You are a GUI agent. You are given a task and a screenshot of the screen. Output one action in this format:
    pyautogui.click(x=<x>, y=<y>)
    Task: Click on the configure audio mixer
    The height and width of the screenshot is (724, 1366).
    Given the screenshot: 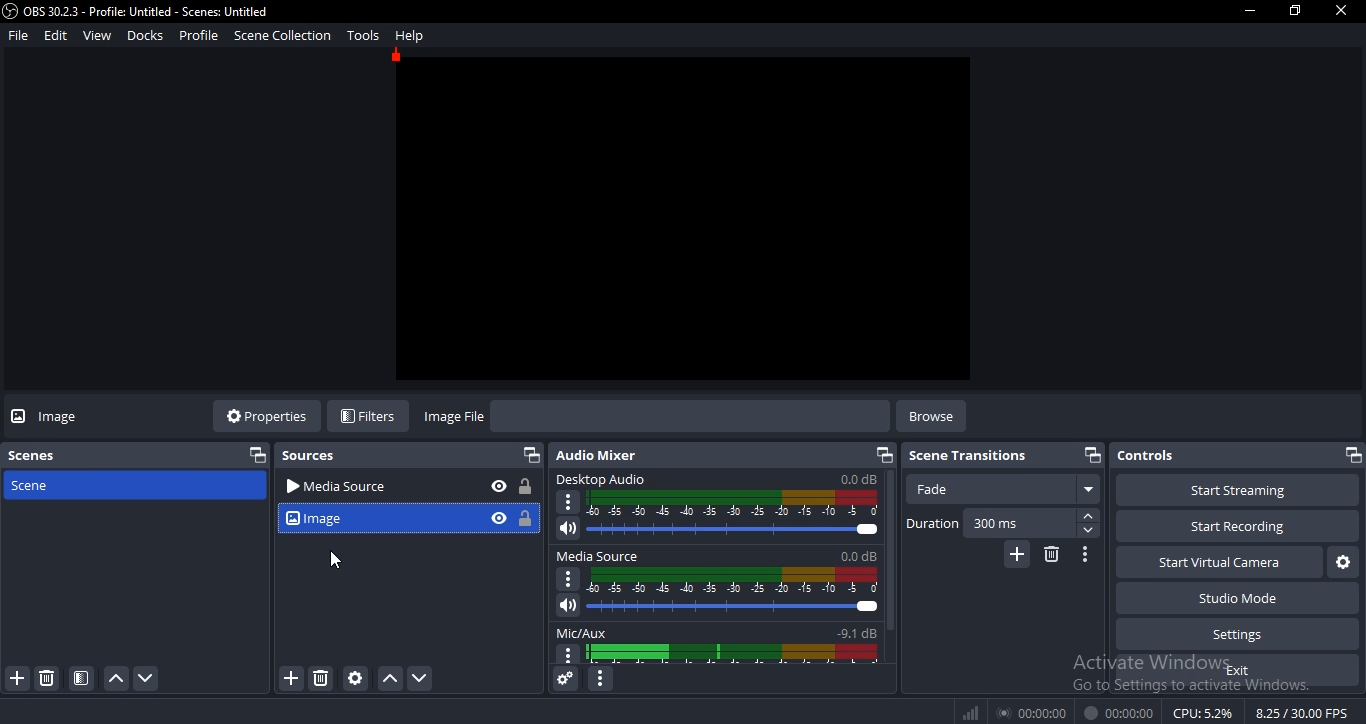 What is the action you would take?
    pyautogui.click(x=603, y=680)
    